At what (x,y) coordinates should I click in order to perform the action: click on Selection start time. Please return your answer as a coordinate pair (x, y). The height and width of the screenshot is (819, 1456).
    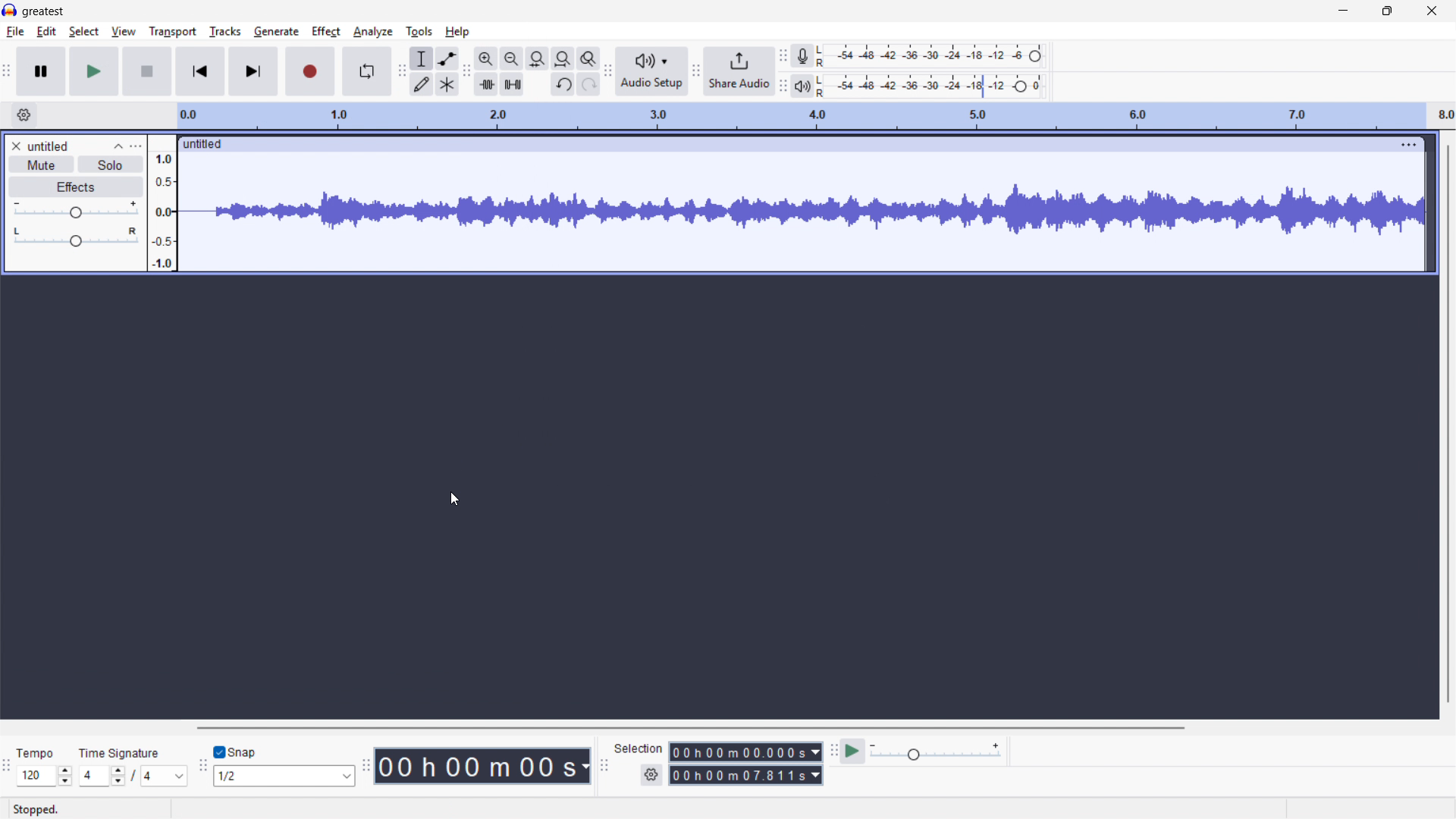
    Looking at the image, I should click on (745, 752).